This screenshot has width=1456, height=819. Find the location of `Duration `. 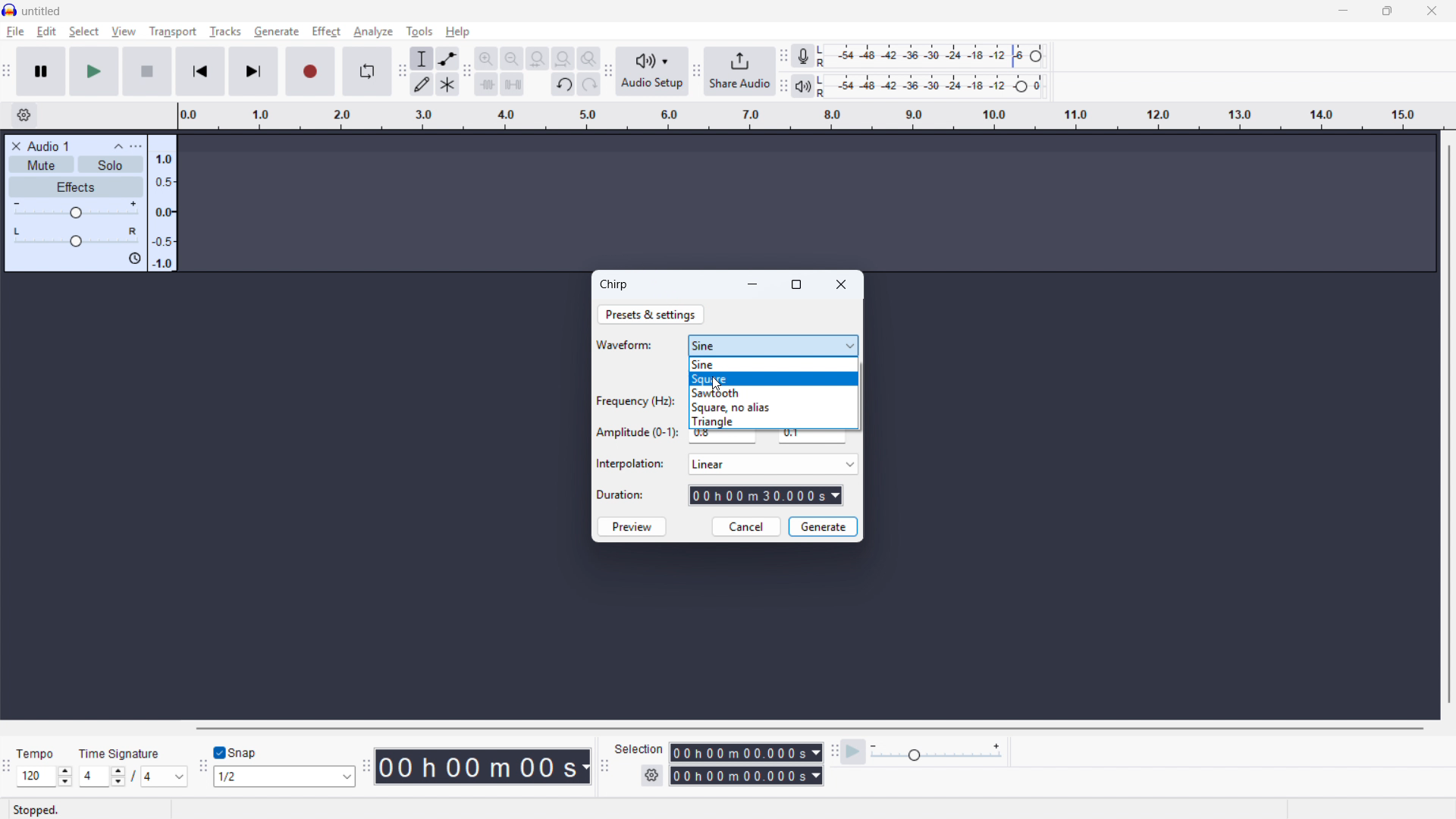

Duration  is located at coordinates (766, 495).